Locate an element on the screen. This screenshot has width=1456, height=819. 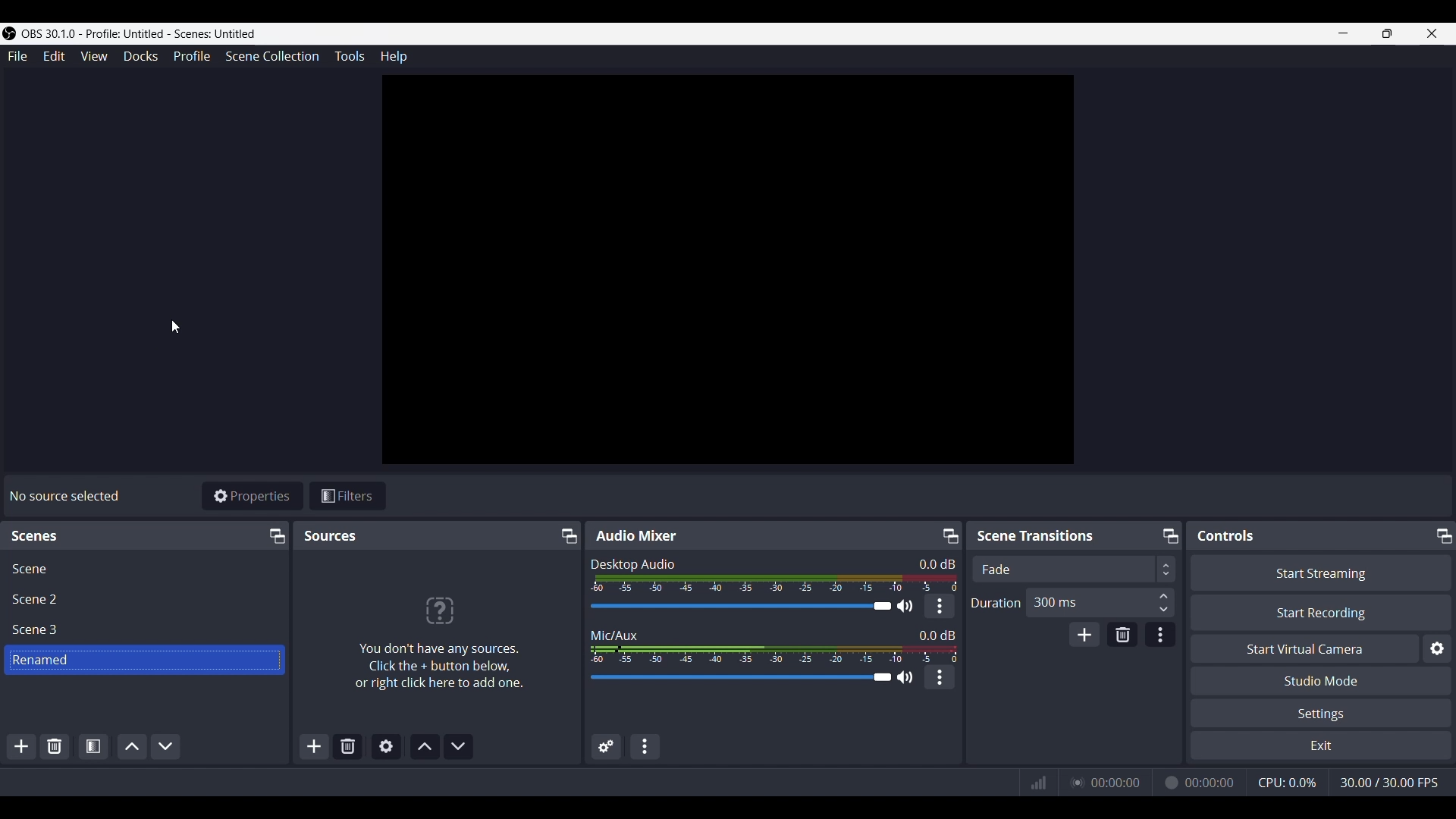
Transition properties is located at coordinates (1159, 635).